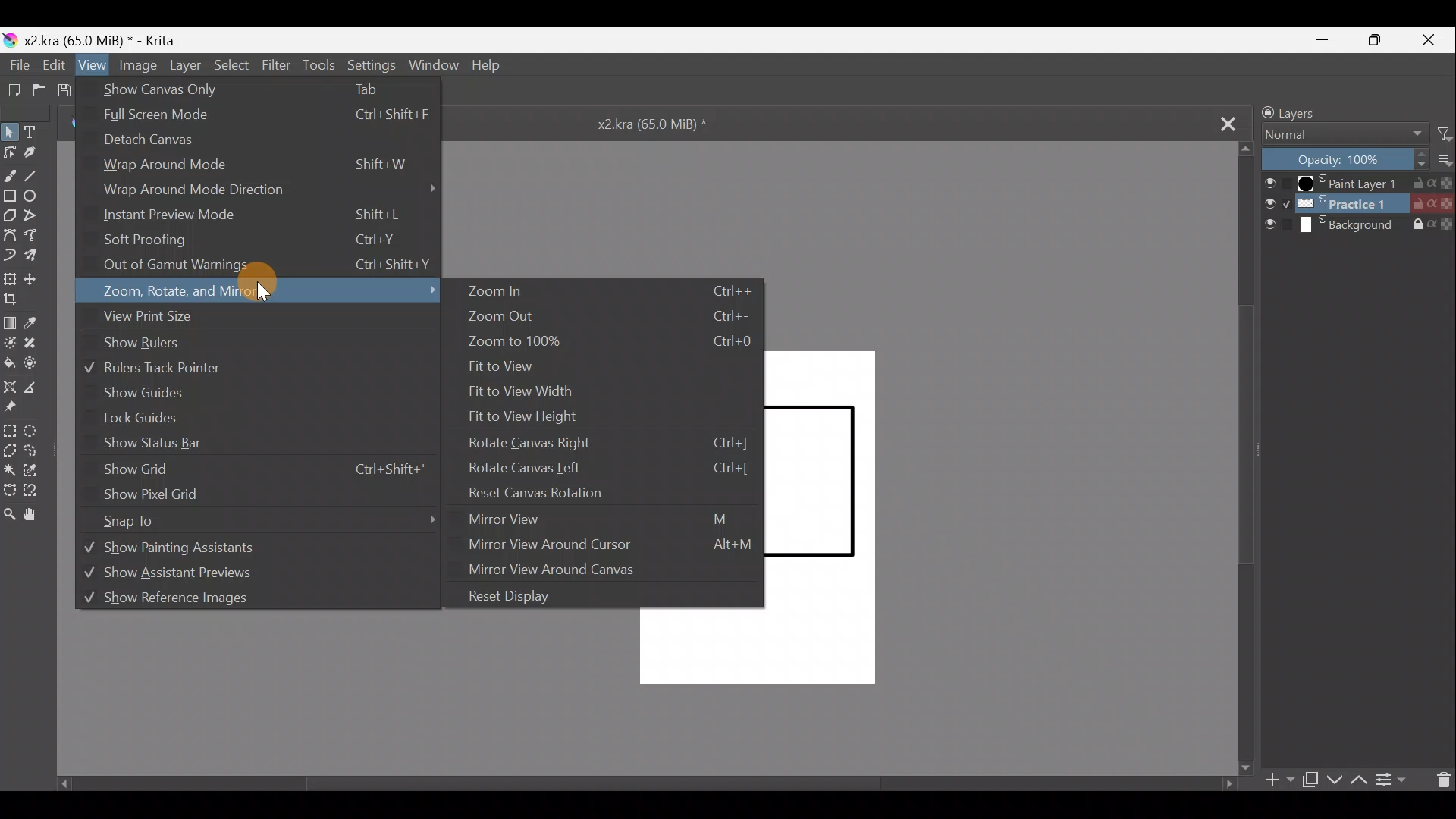 Image resolution: width=1456 pixels, height=819 pixels. I want to click on Filter, so click(277, 64).